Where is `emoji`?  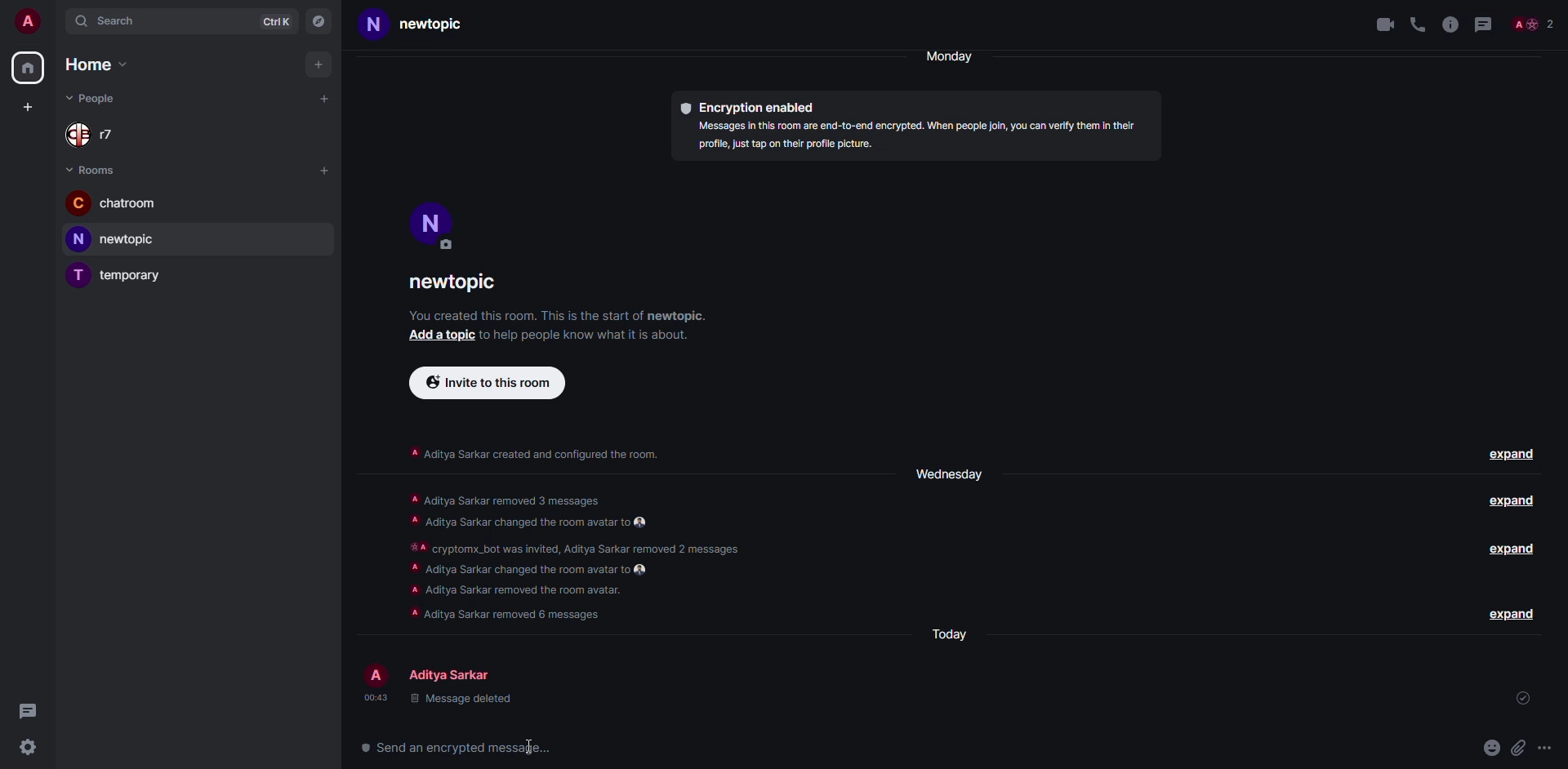 emoji is located at coordinates (1490, 748).